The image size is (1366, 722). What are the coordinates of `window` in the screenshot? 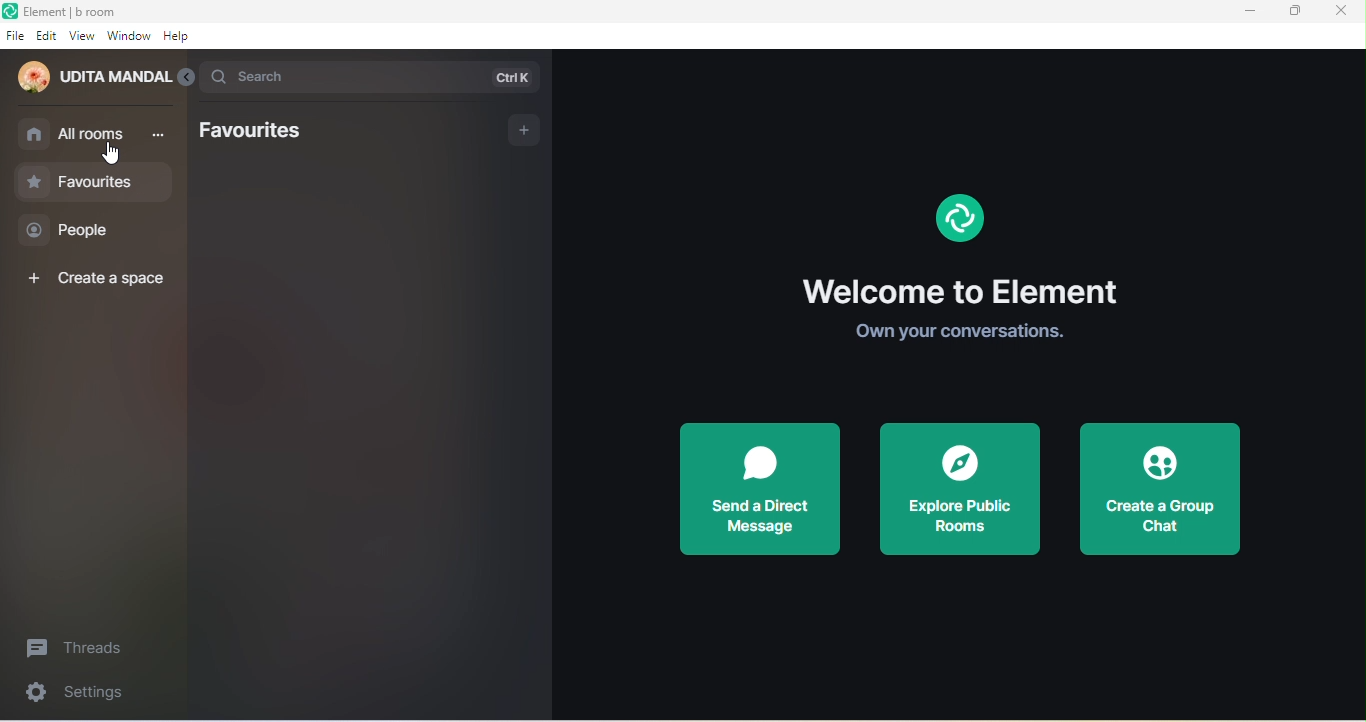 It's located at (129, 37).